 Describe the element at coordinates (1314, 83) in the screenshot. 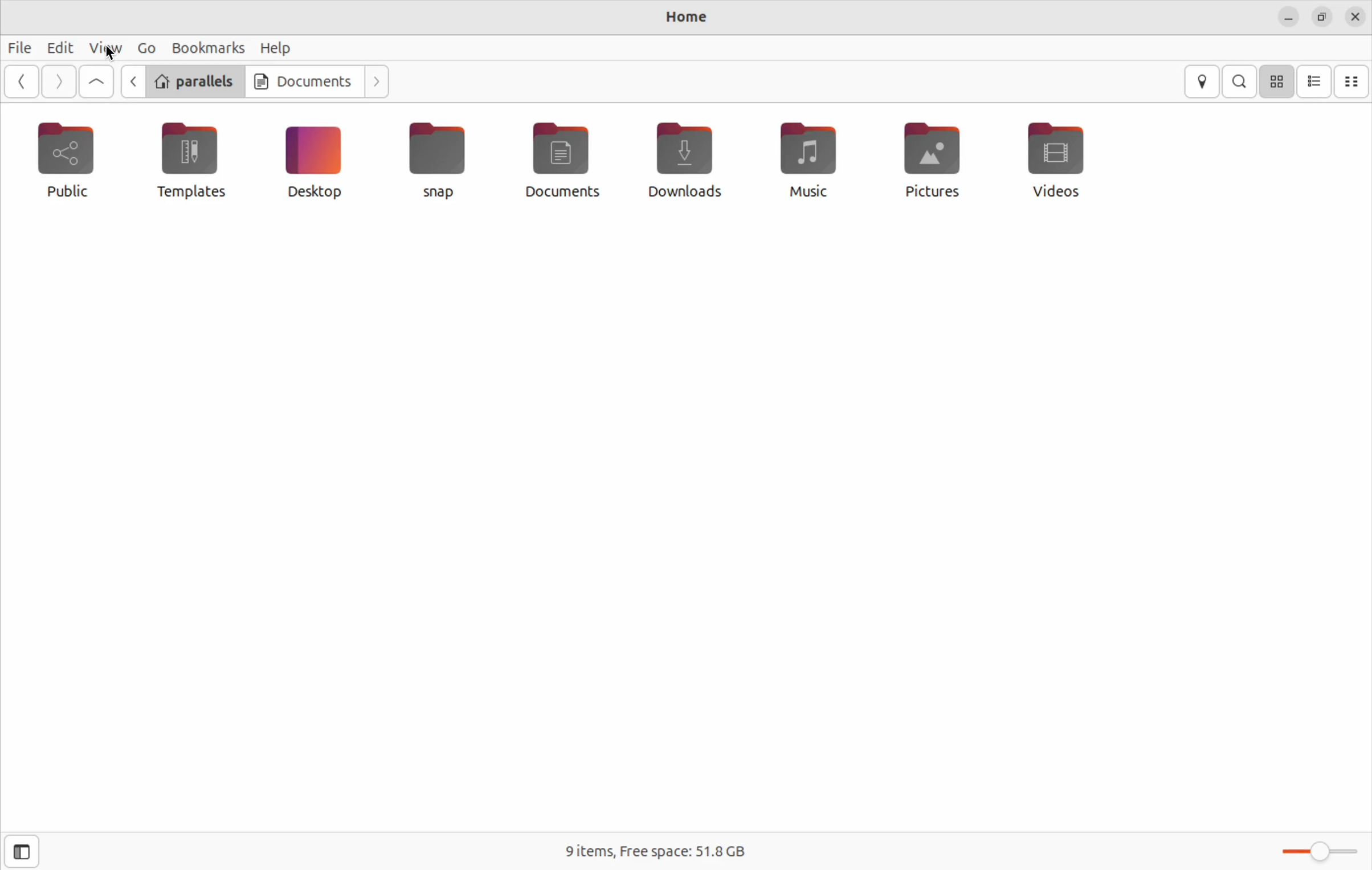

I see `list view` at that location.